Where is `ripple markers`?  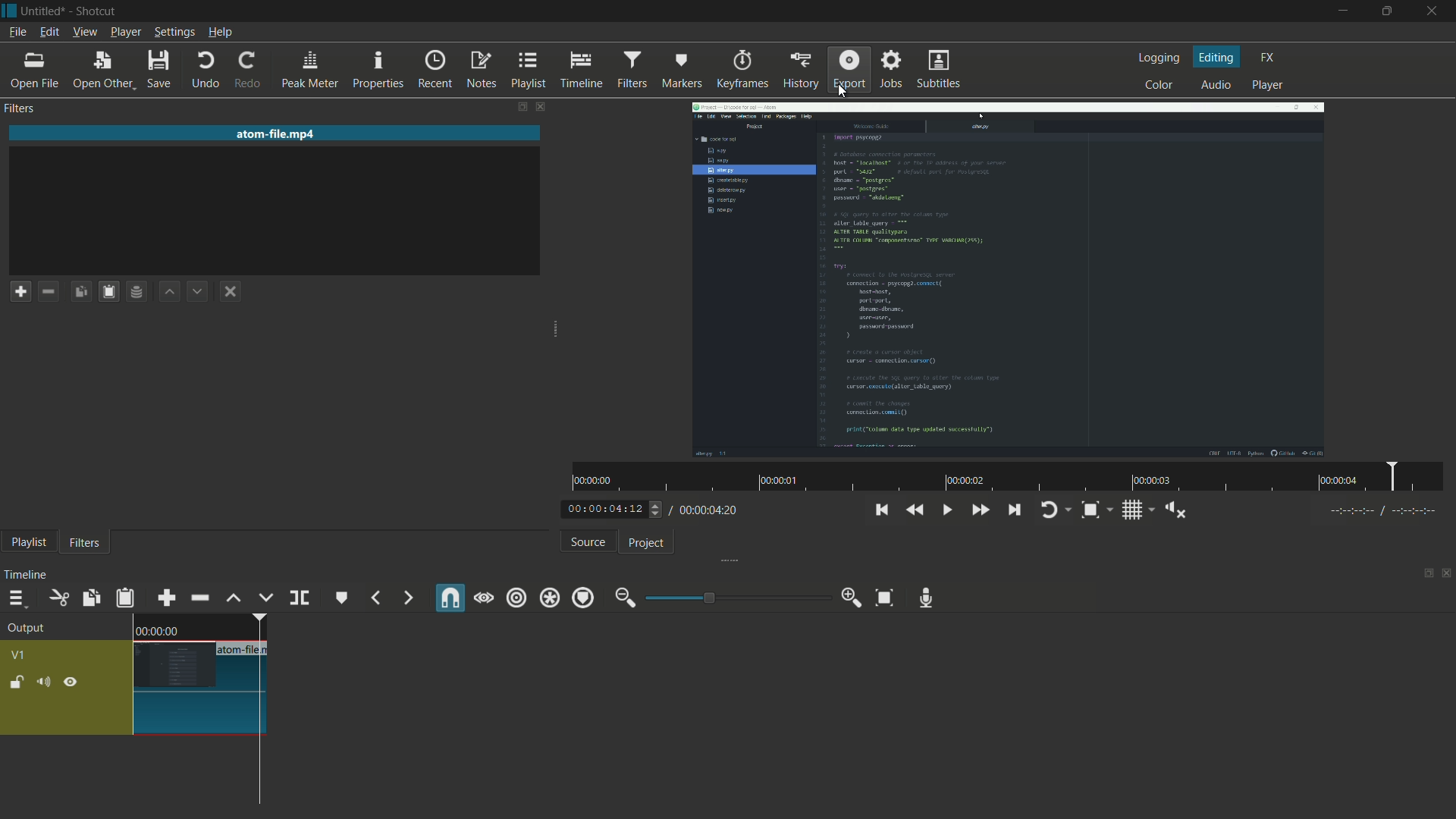 ripple markers is located at coordinates (584, 599).